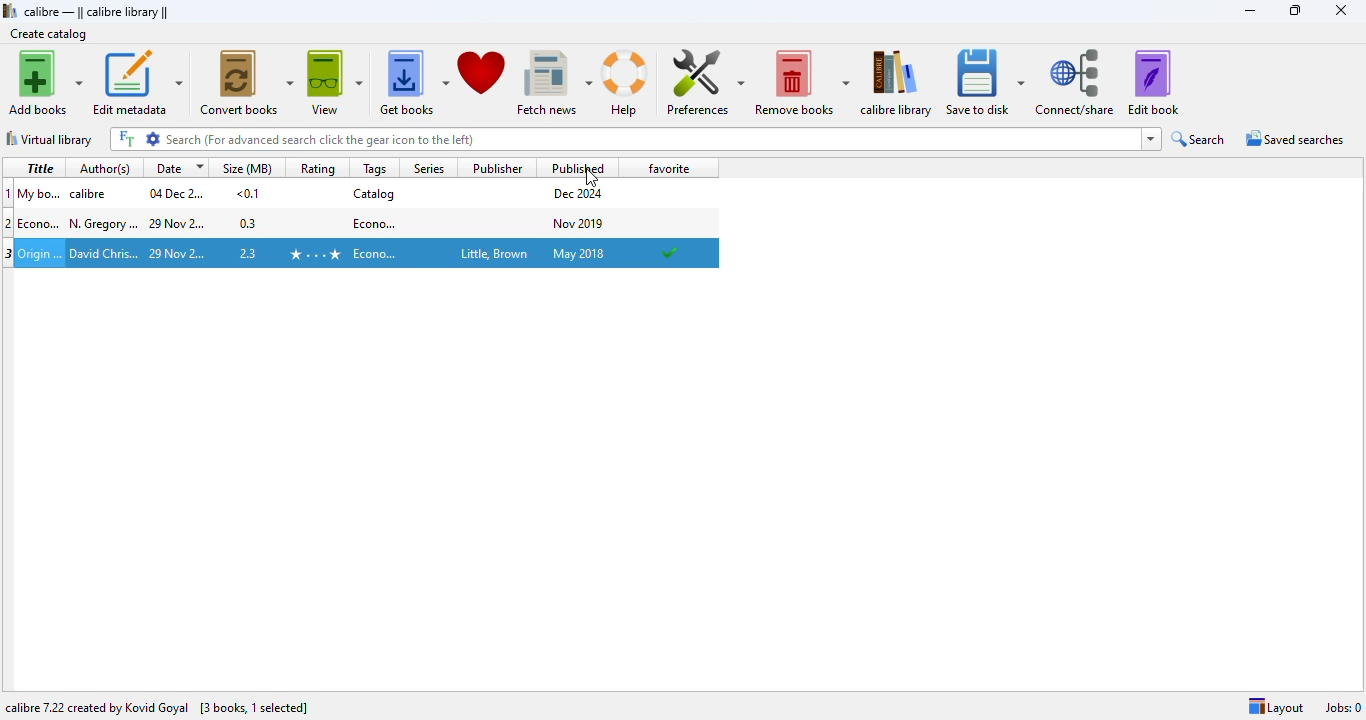  Describe the element at coordinates (48, 33) in the screenshot. I see `create catalog` at that location.